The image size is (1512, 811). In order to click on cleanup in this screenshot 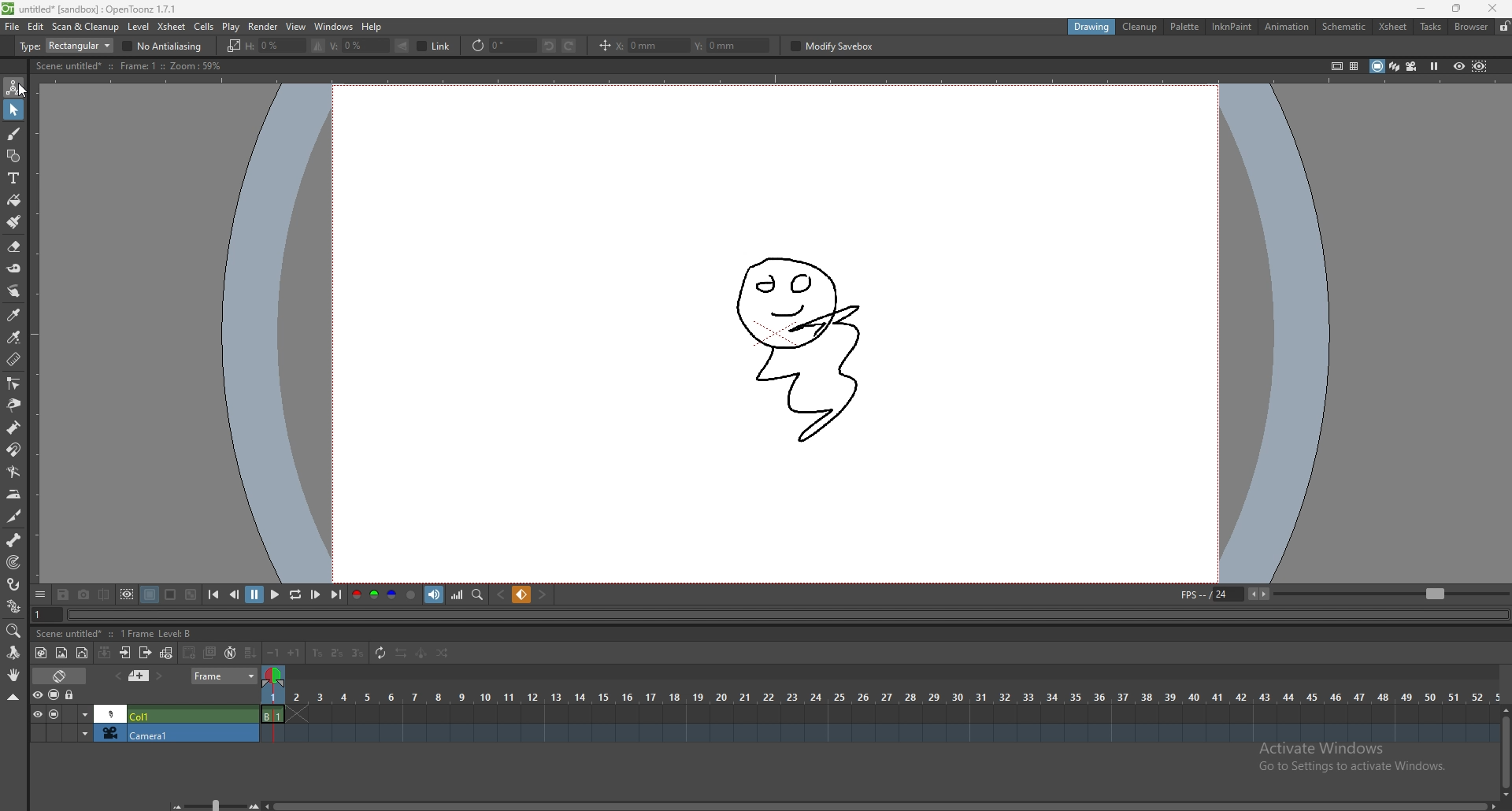, I will do `click(1140, 27)`.